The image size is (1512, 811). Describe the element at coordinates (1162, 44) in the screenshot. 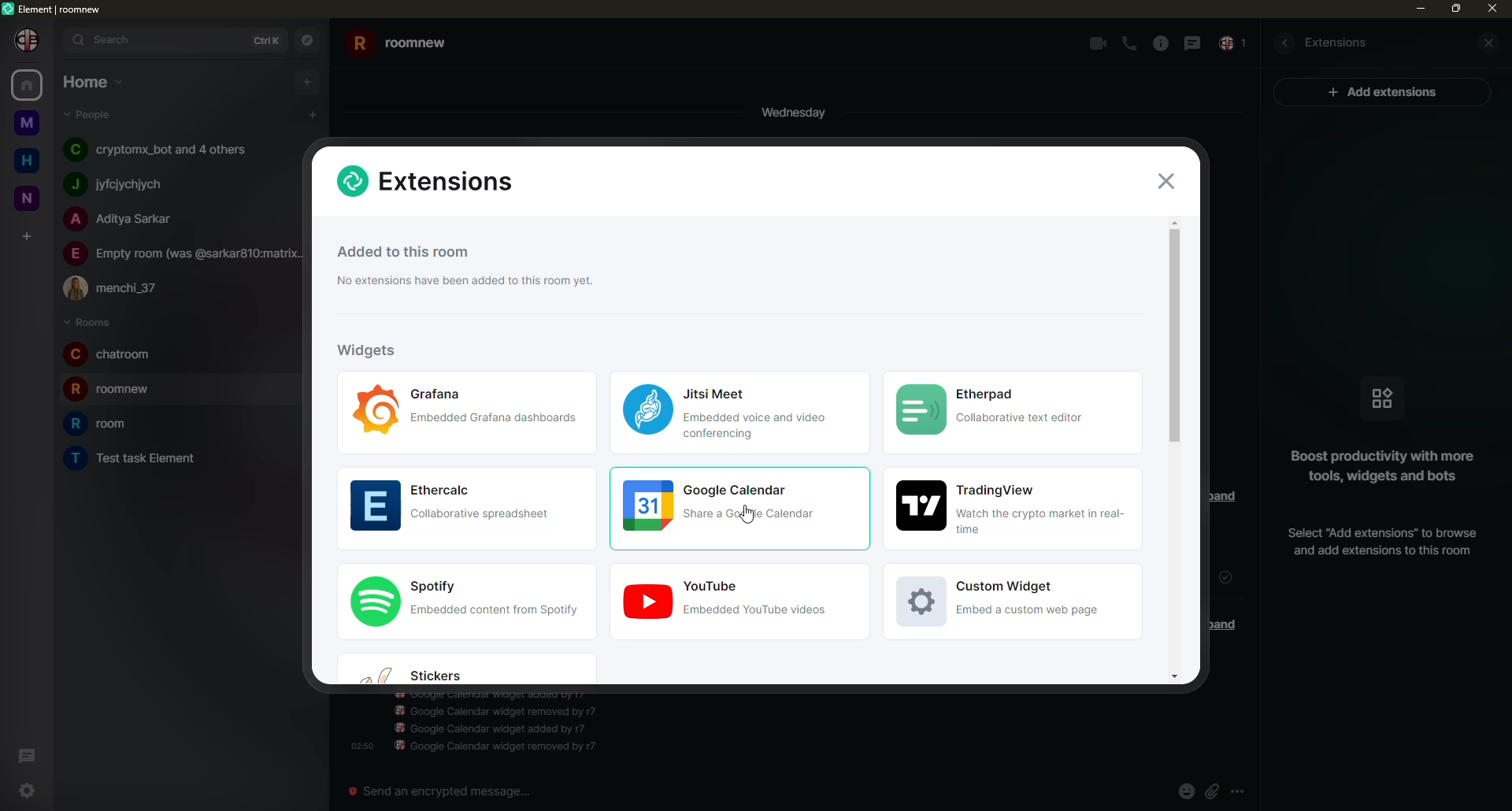

I see `info` at that location.